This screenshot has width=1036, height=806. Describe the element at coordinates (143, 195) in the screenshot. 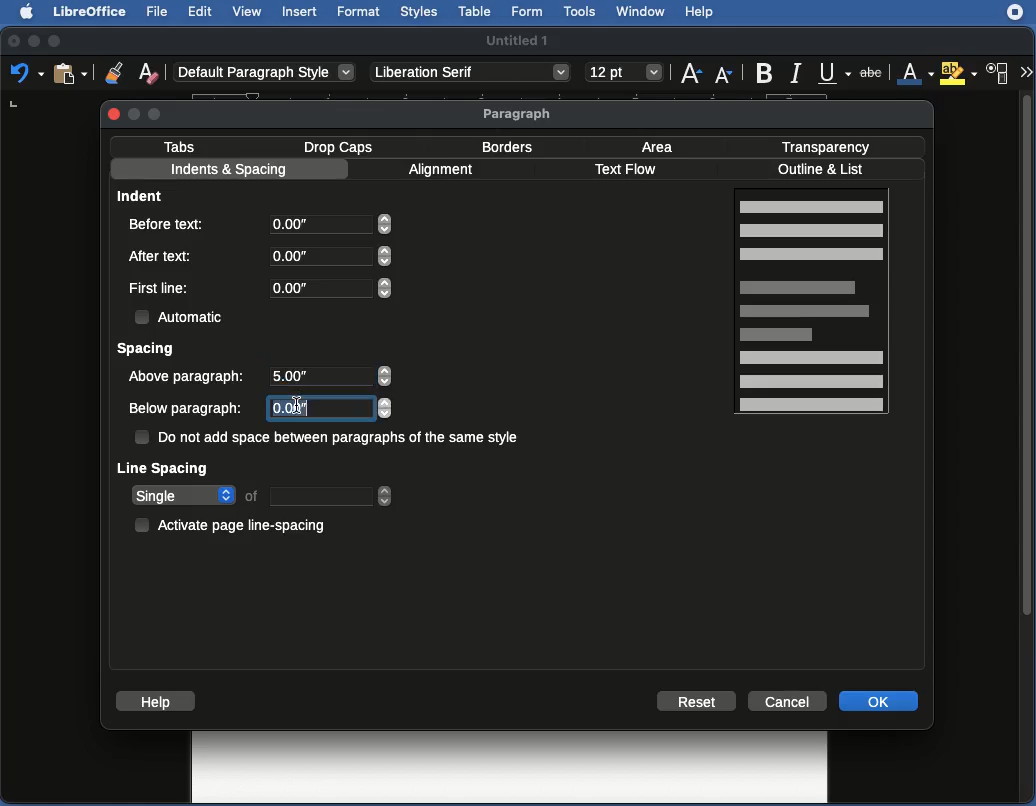

I see `Indent` at that location.